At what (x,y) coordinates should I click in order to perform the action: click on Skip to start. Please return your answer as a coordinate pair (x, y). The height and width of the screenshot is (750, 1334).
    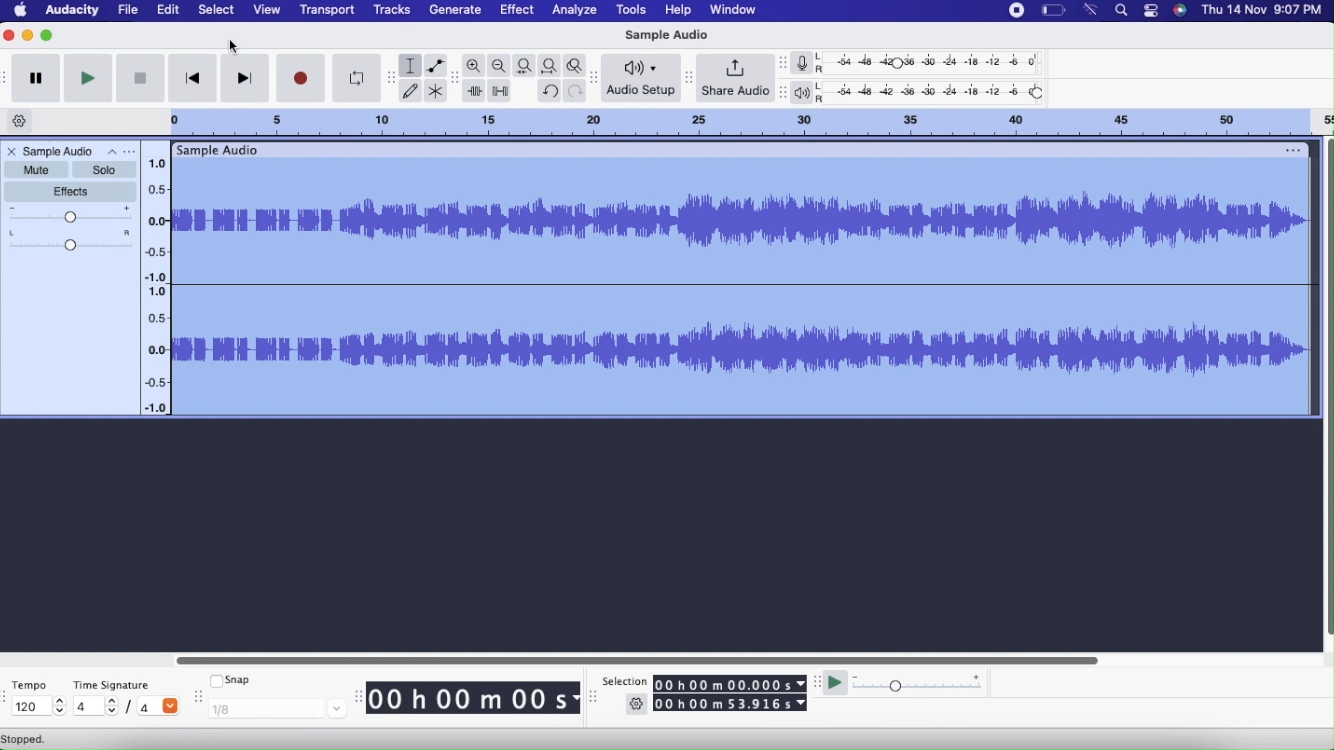
    Looking at the image, I should click on (193, 78).